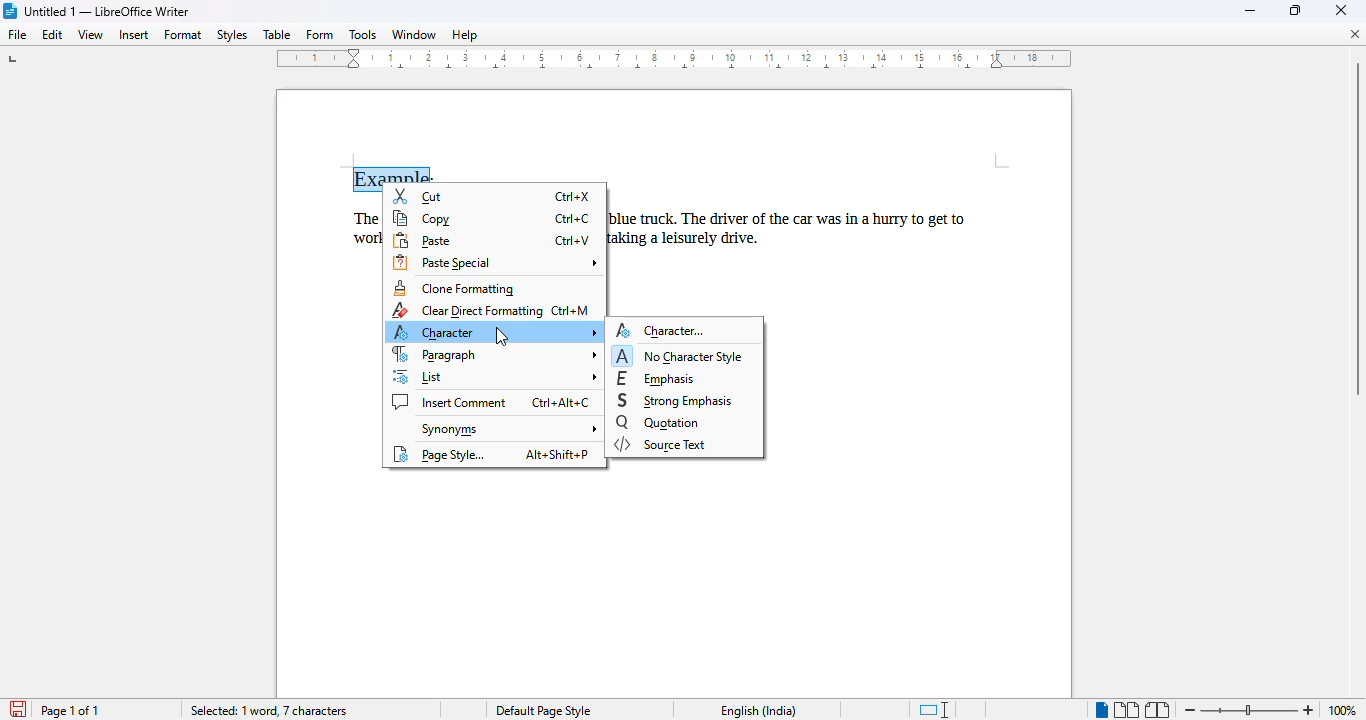 Image resolution: width=1366 pixels, height=720 pixels. I want to click on Ctrl+C, so click(573, 220).